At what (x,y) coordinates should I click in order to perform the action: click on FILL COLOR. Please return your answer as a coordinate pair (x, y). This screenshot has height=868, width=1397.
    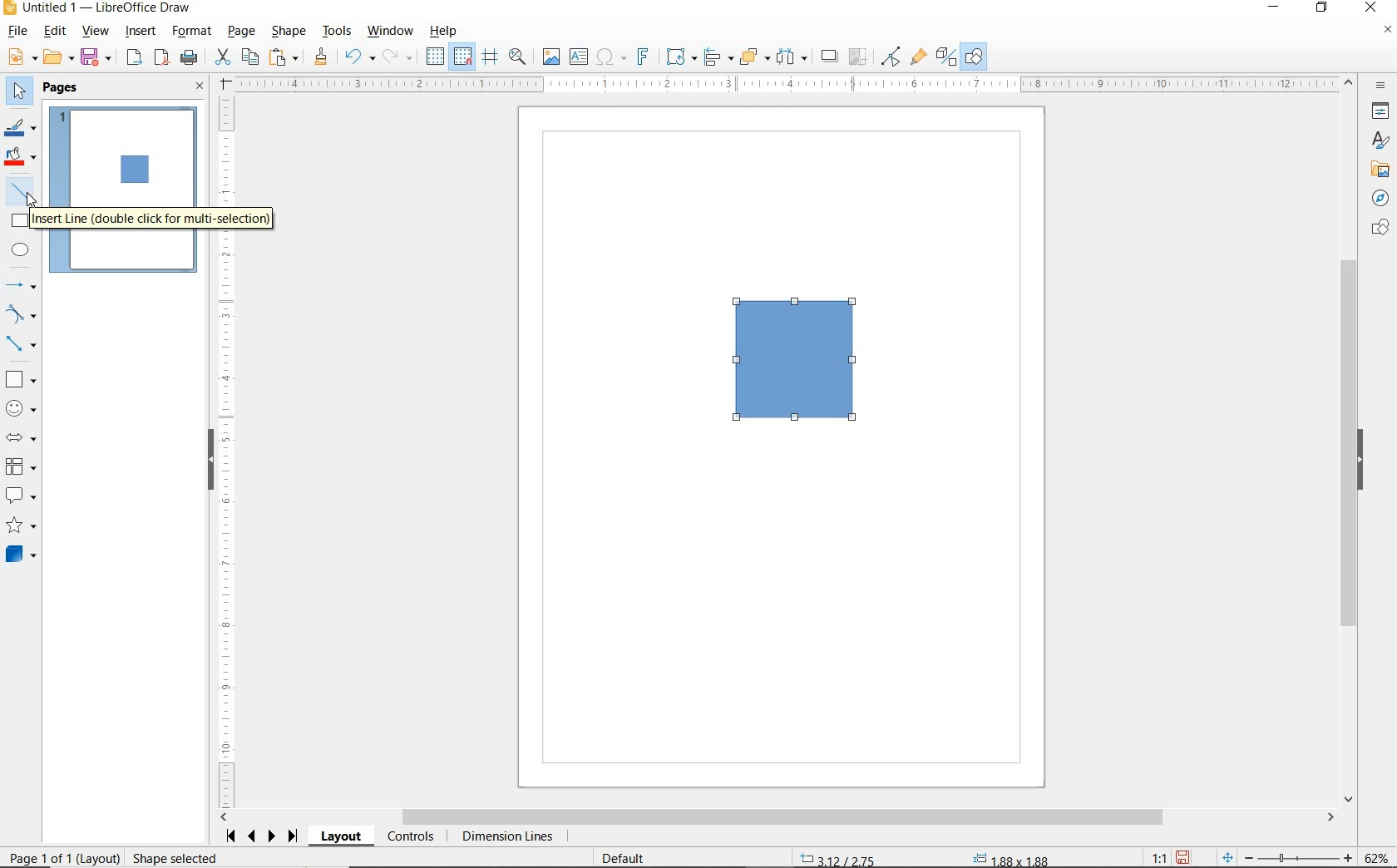
    Looking at the image, I should click on (22, 159).